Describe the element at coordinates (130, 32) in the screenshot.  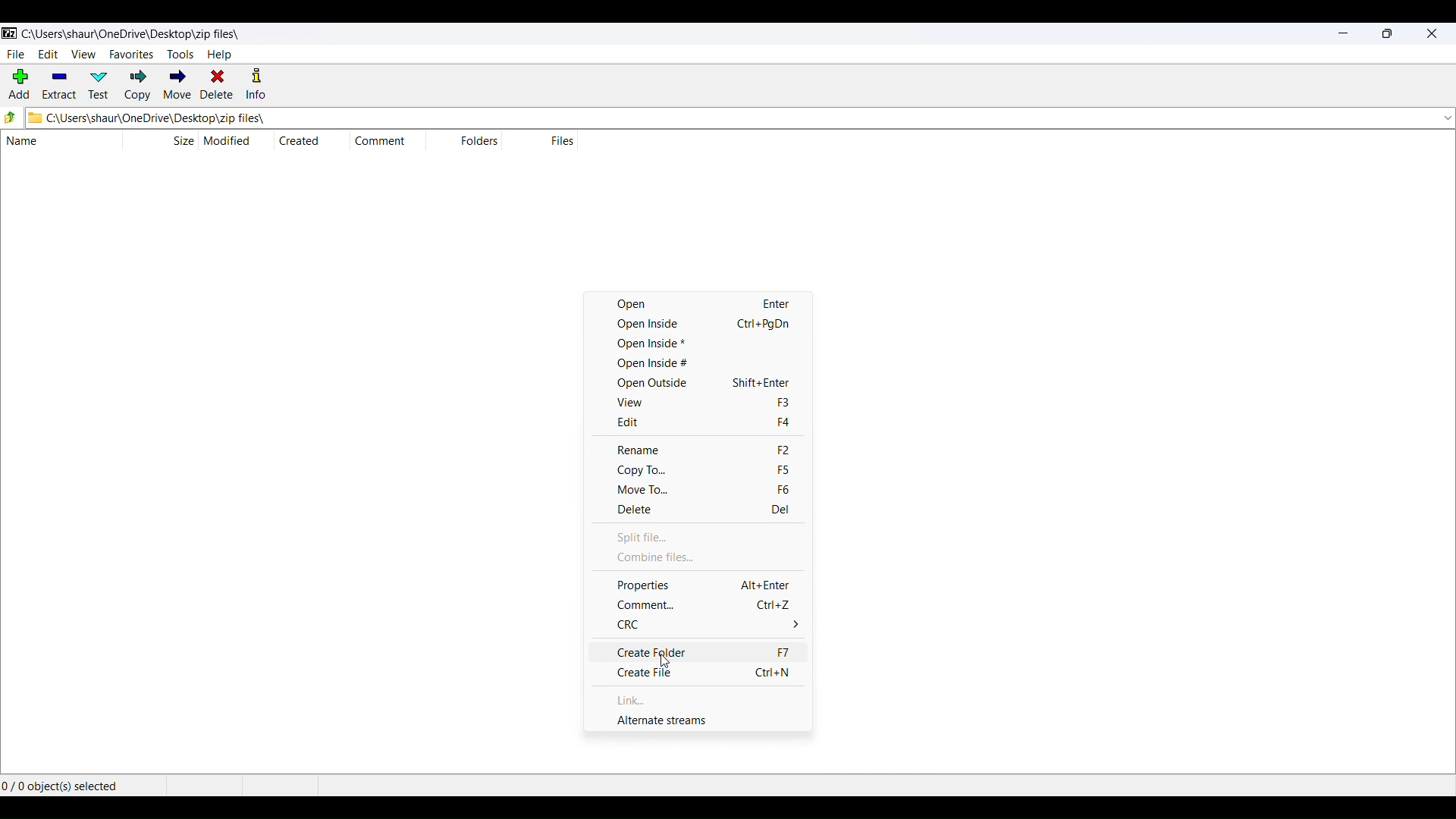
I see `CURRENT FILE/FOLDER PATH` at that location.